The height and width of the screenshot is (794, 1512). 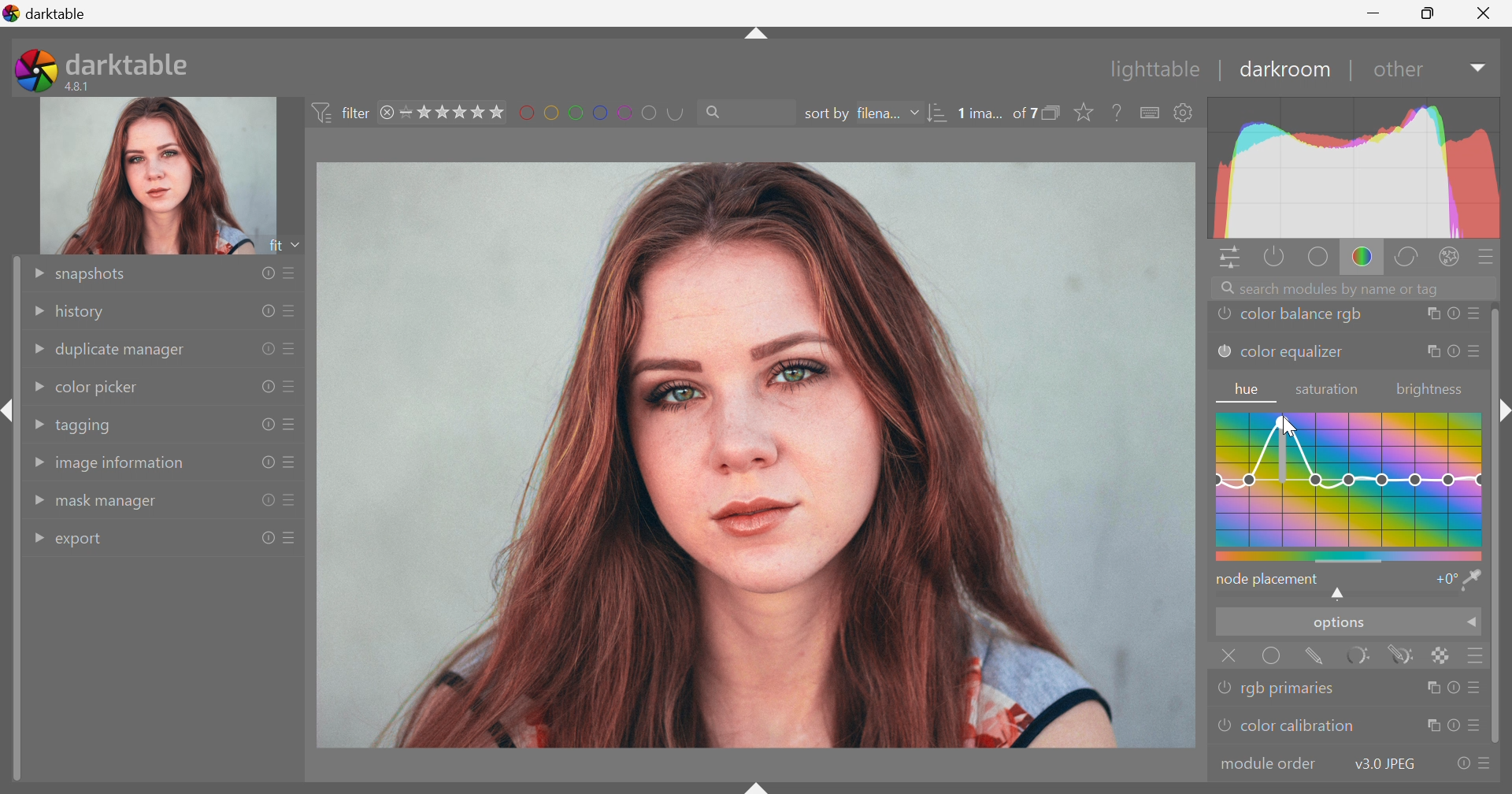 What do you see at coordinates (160, 176) in the screenshot?
I see `image` at bounding box center [160, 176].